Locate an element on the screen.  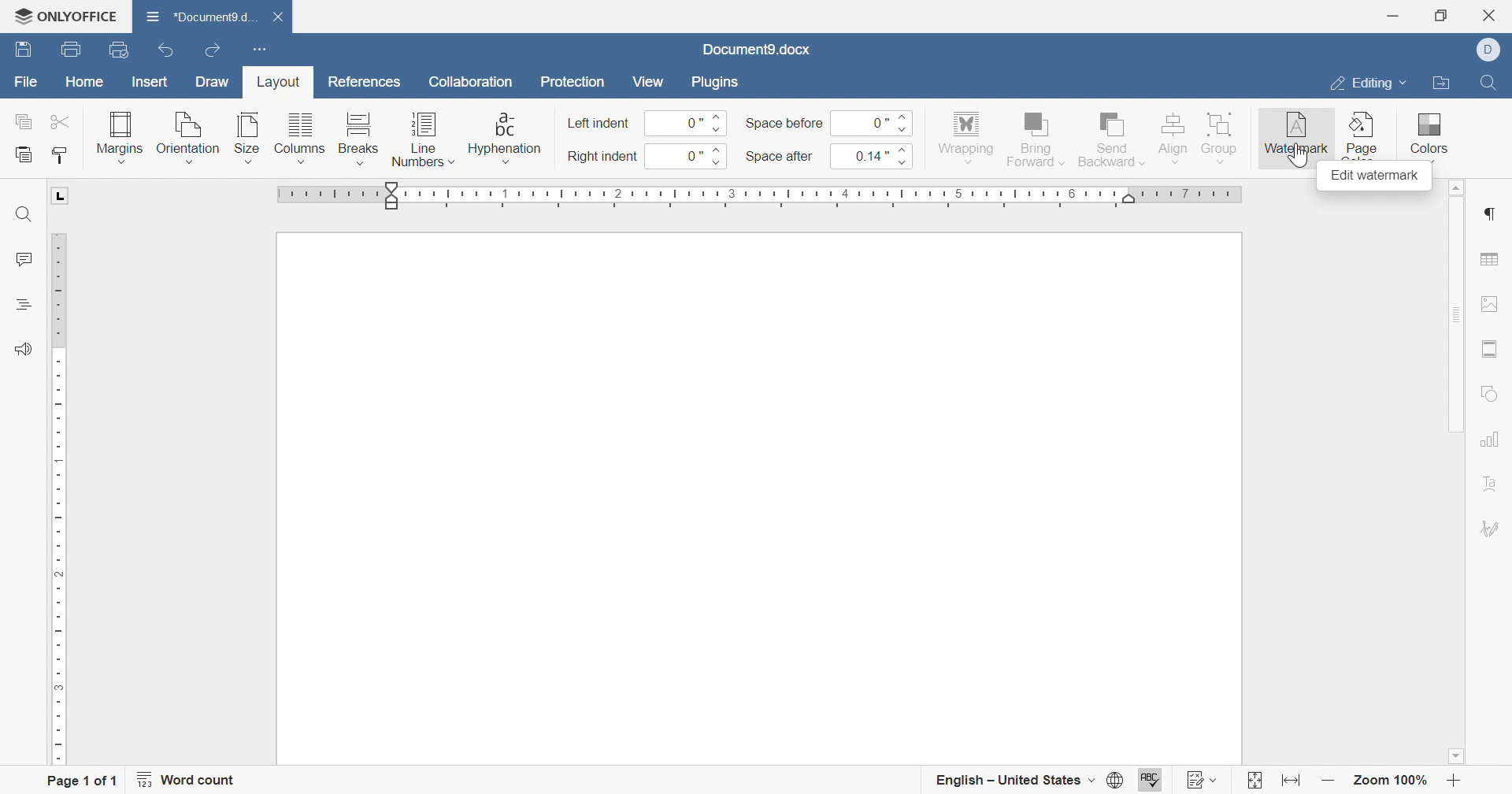
document name is located at coordinates (198, 16).